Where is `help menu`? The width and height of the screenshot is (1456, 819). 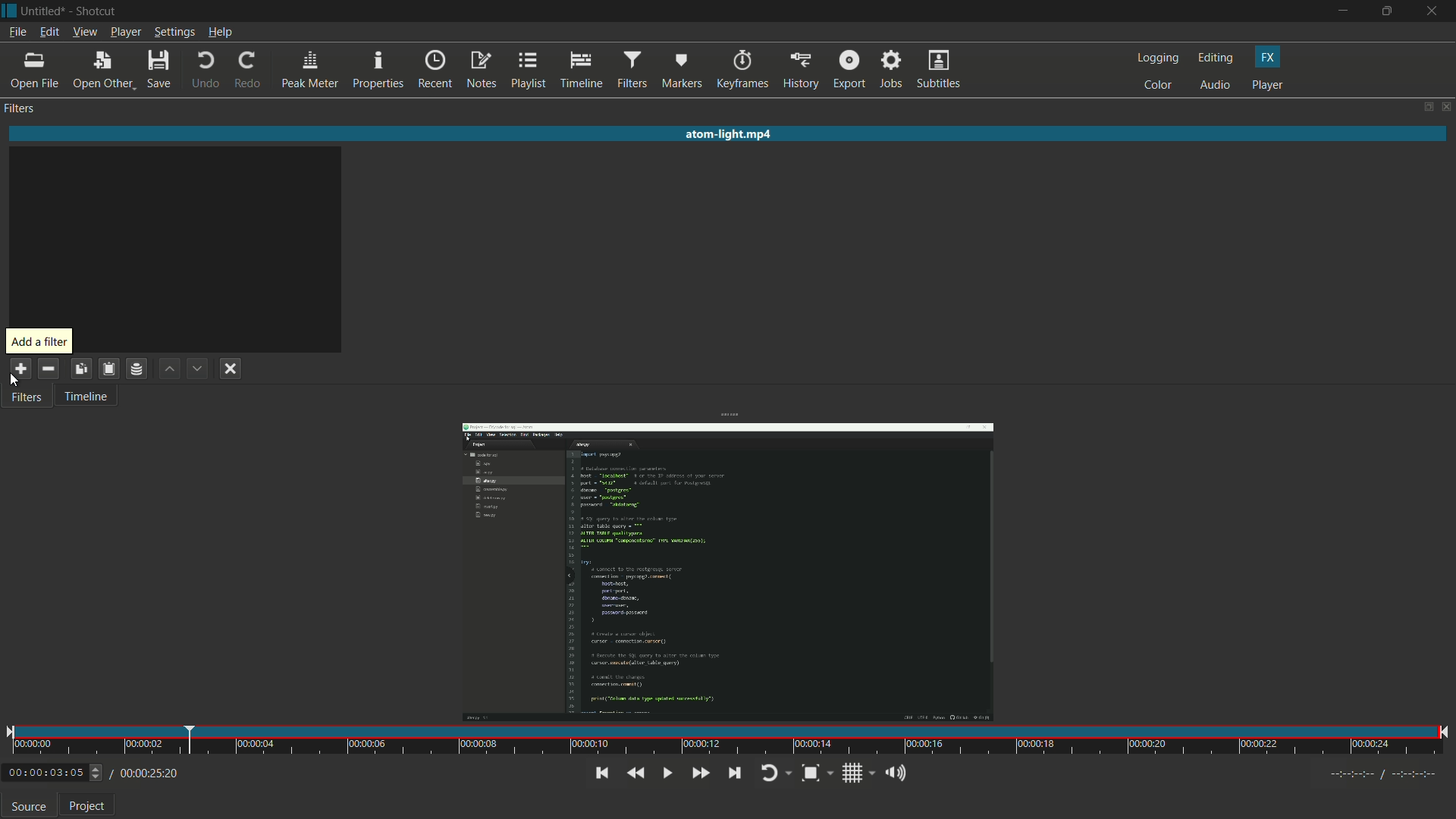
help menu is located at coordinates (221, 33).